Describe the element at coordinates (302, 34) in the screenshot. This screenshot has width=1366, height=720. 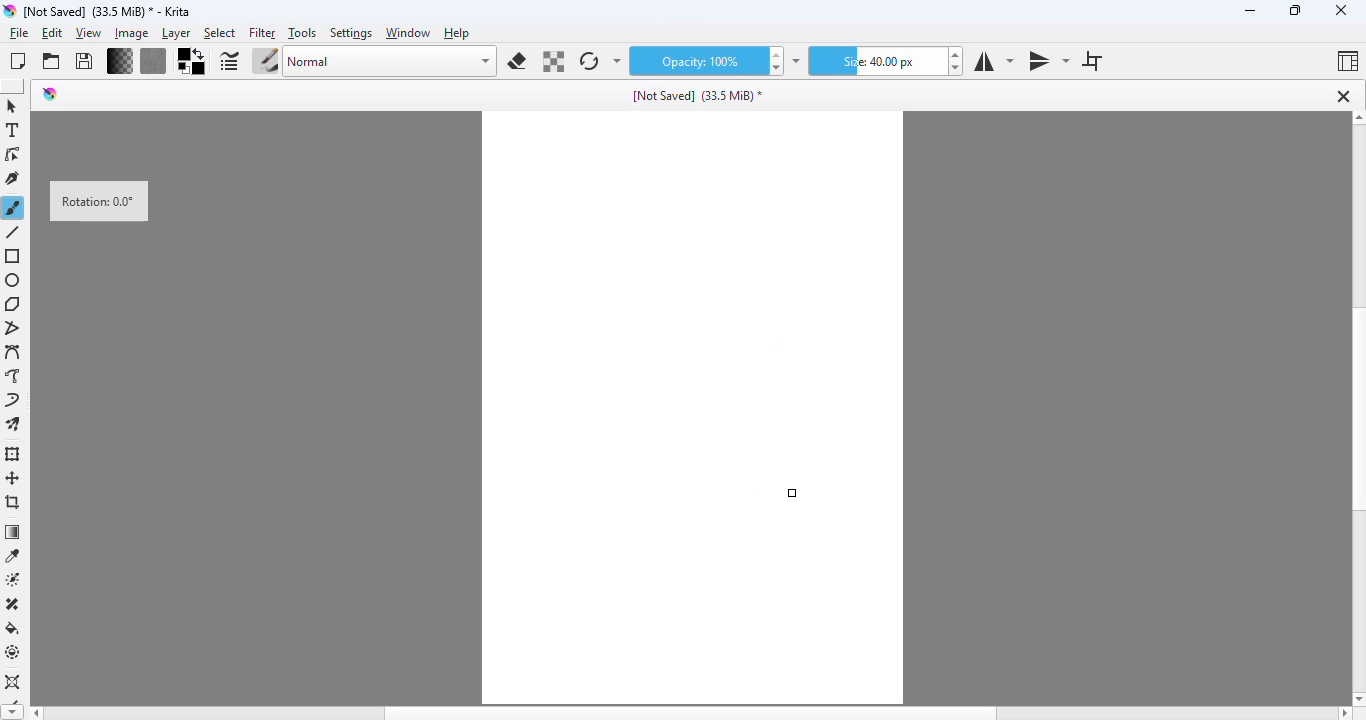
I see `tools` at that location.